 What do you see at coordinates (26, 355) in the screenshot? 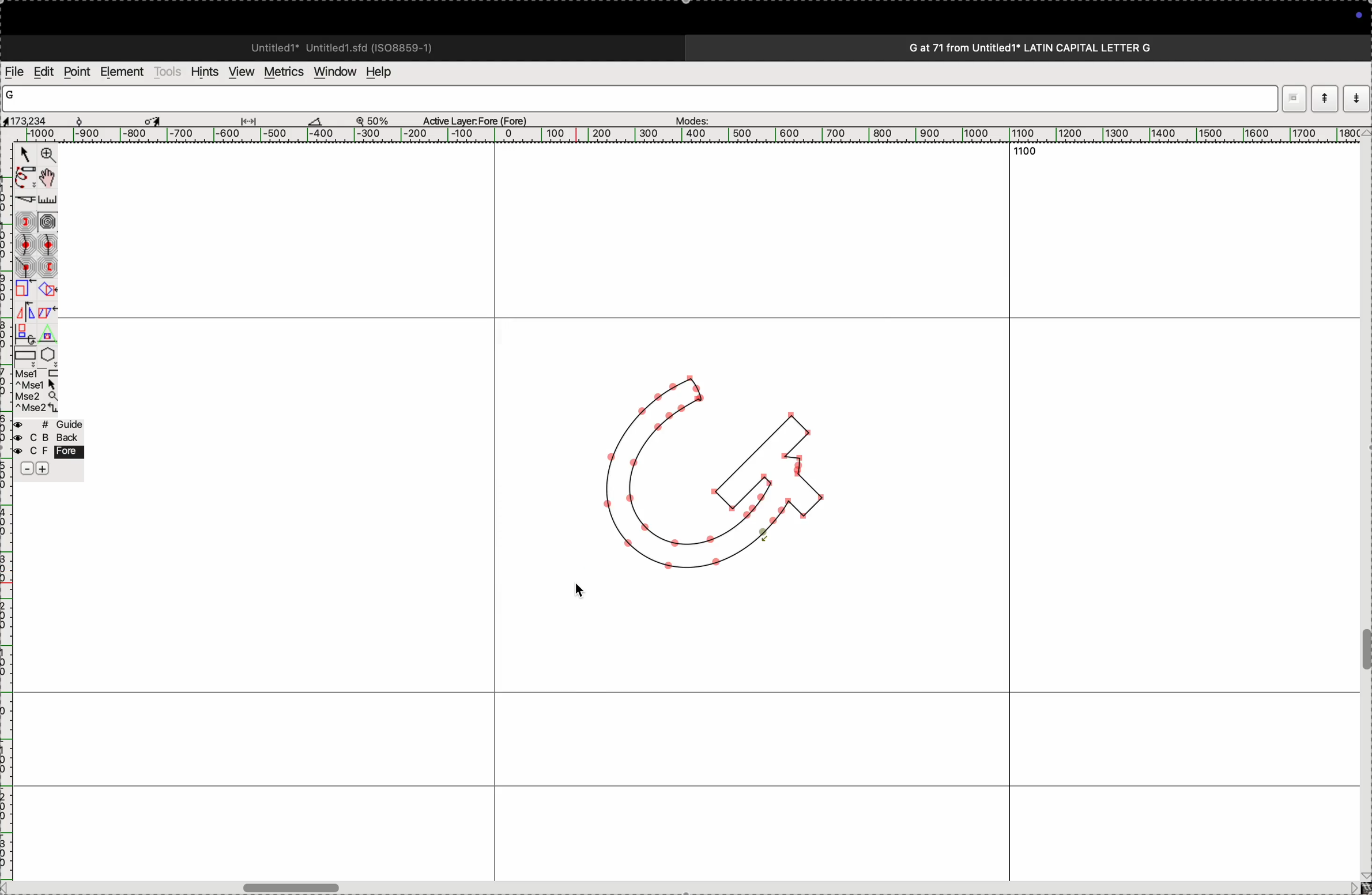
I see `rectangle/ellipse` at bounding box center [26, 355].